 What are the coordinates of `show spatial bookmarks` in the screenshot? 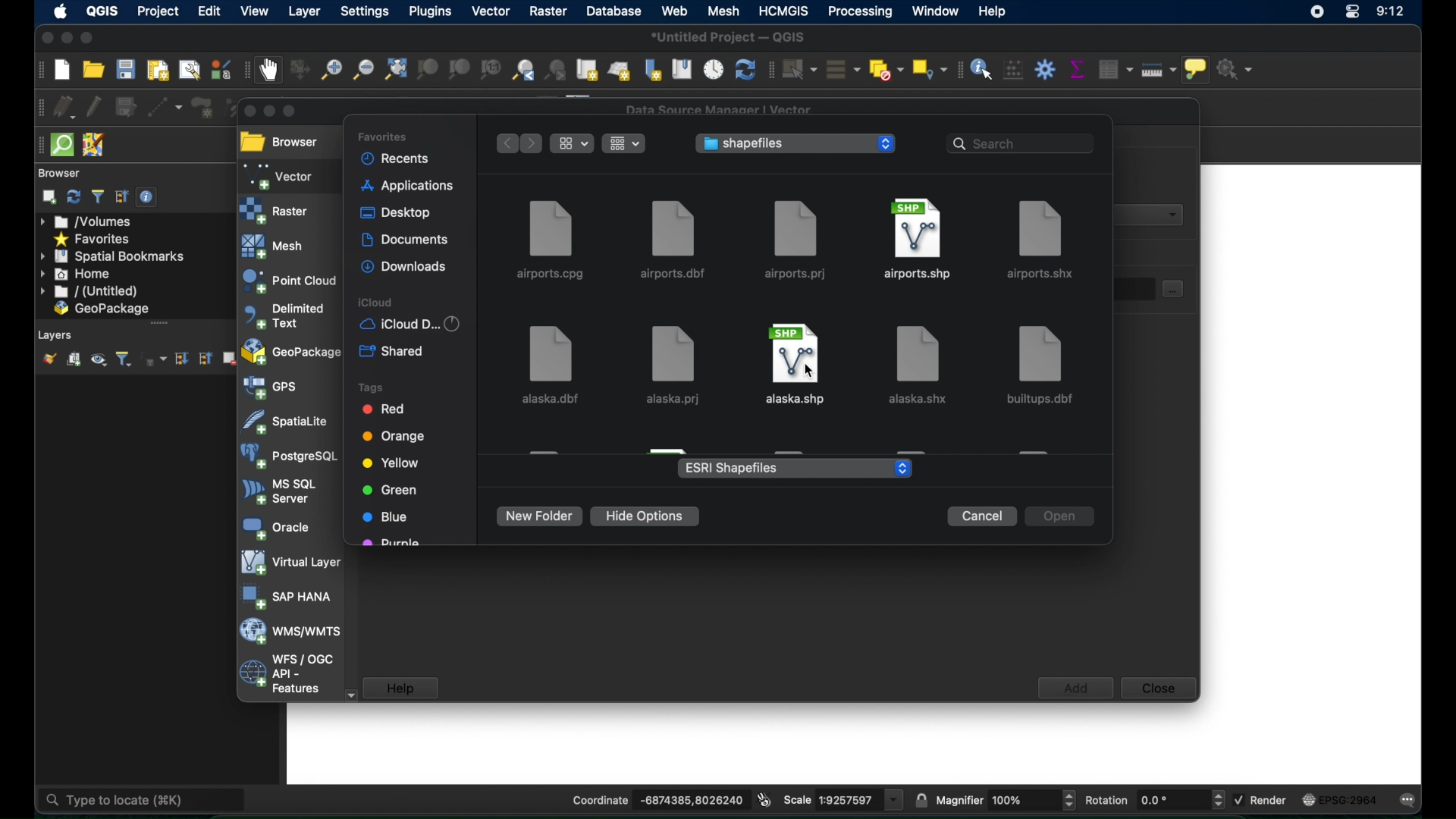 It's located at (681, 68).